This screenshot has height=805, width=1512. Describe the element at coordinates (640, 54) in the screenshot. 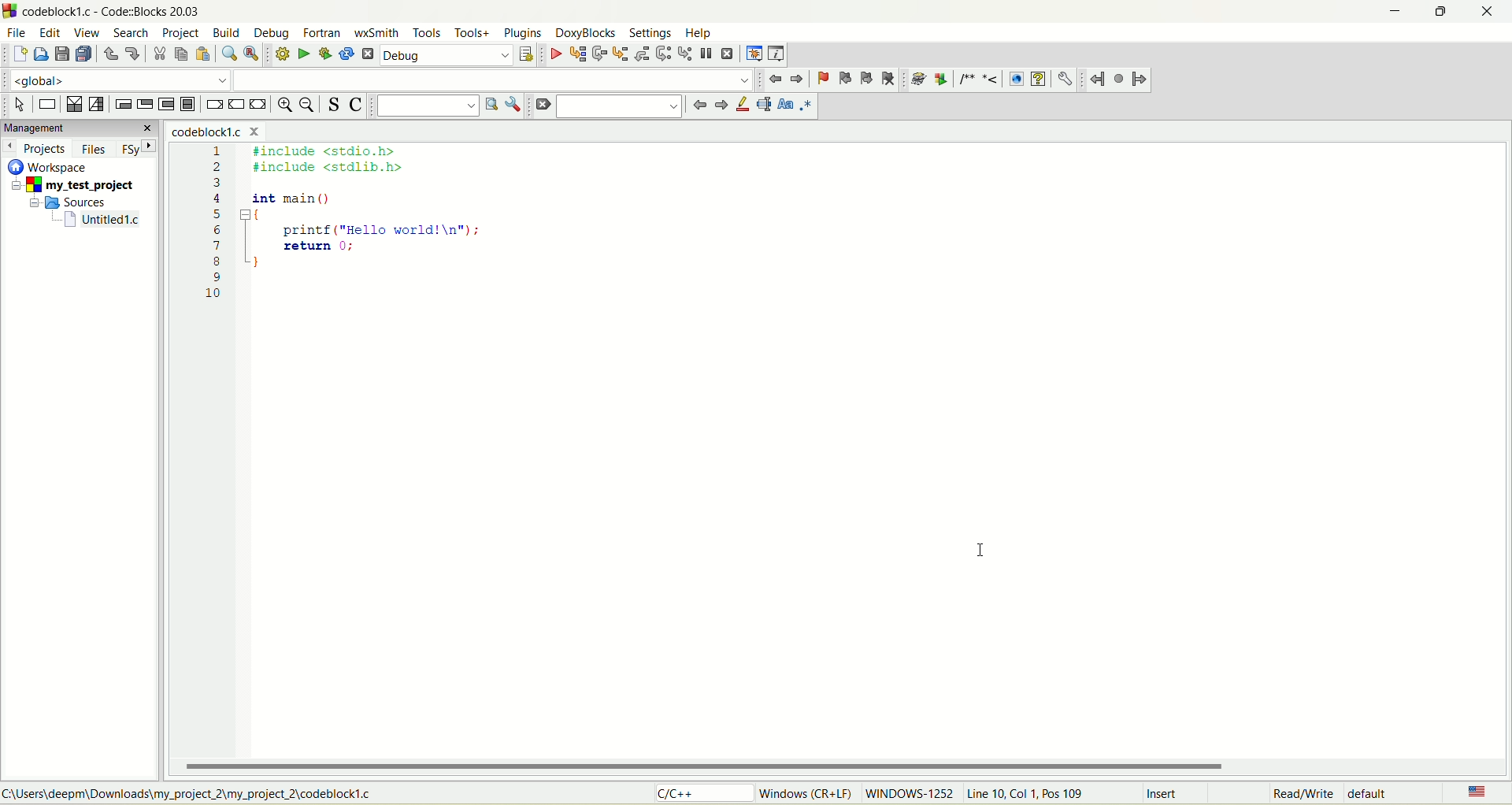

I see `step out` at that location.